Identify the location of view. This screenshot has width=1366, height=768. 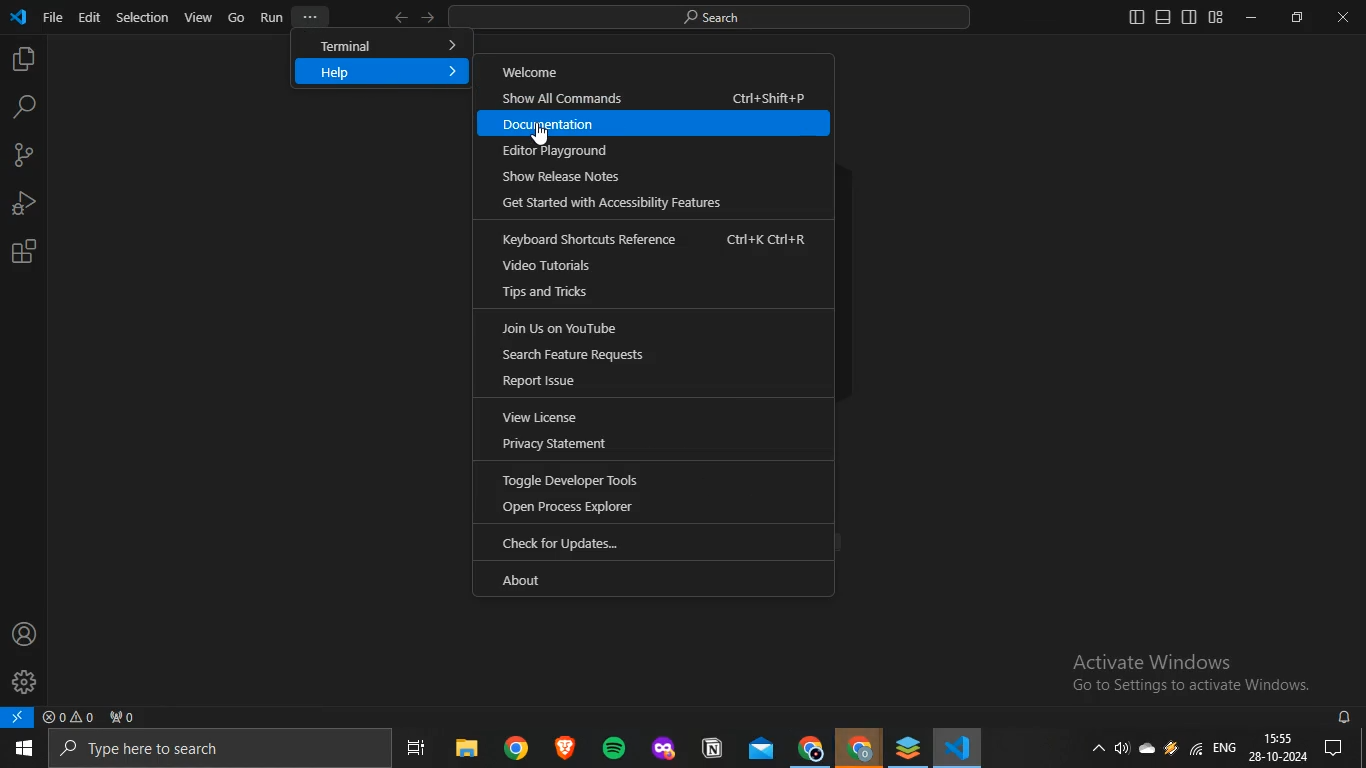
(198, 17).